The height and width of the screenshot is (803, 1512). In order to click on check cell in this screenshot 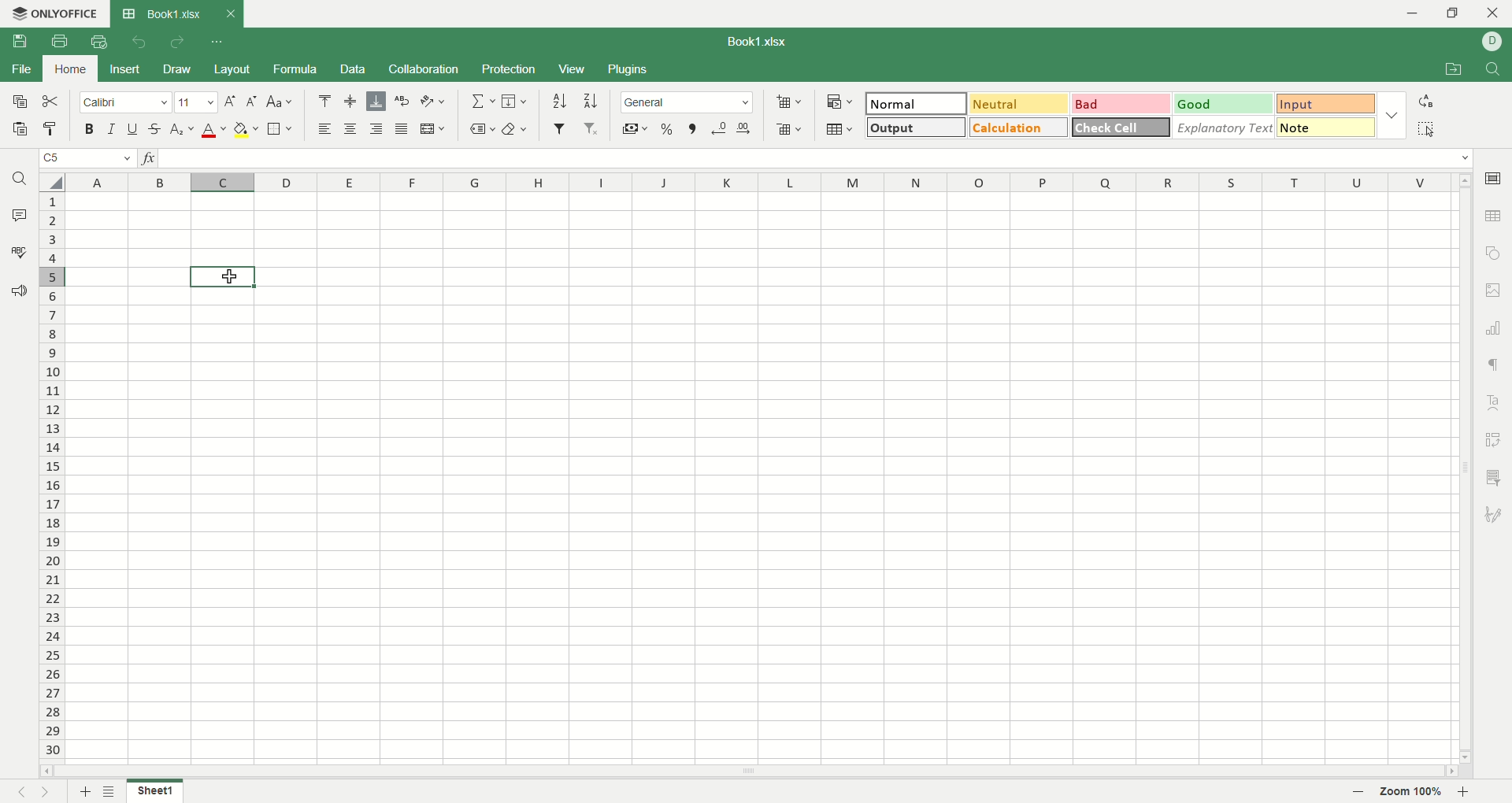, I will do `click(1122, 127)`.